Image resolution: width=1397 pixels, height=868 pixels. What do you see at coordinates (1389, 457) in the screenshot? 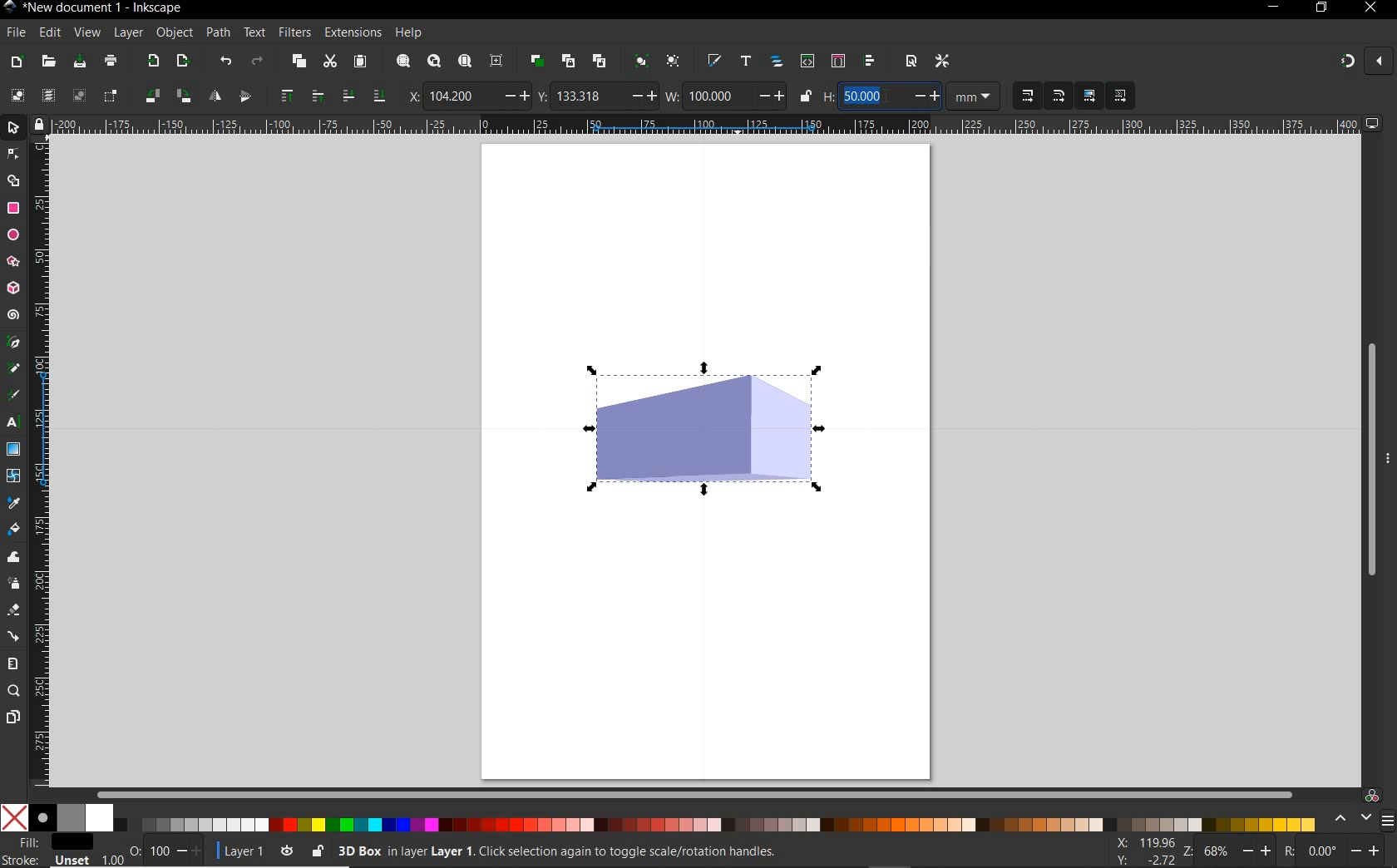
I see `more options` at bounding box center [1389, 457].